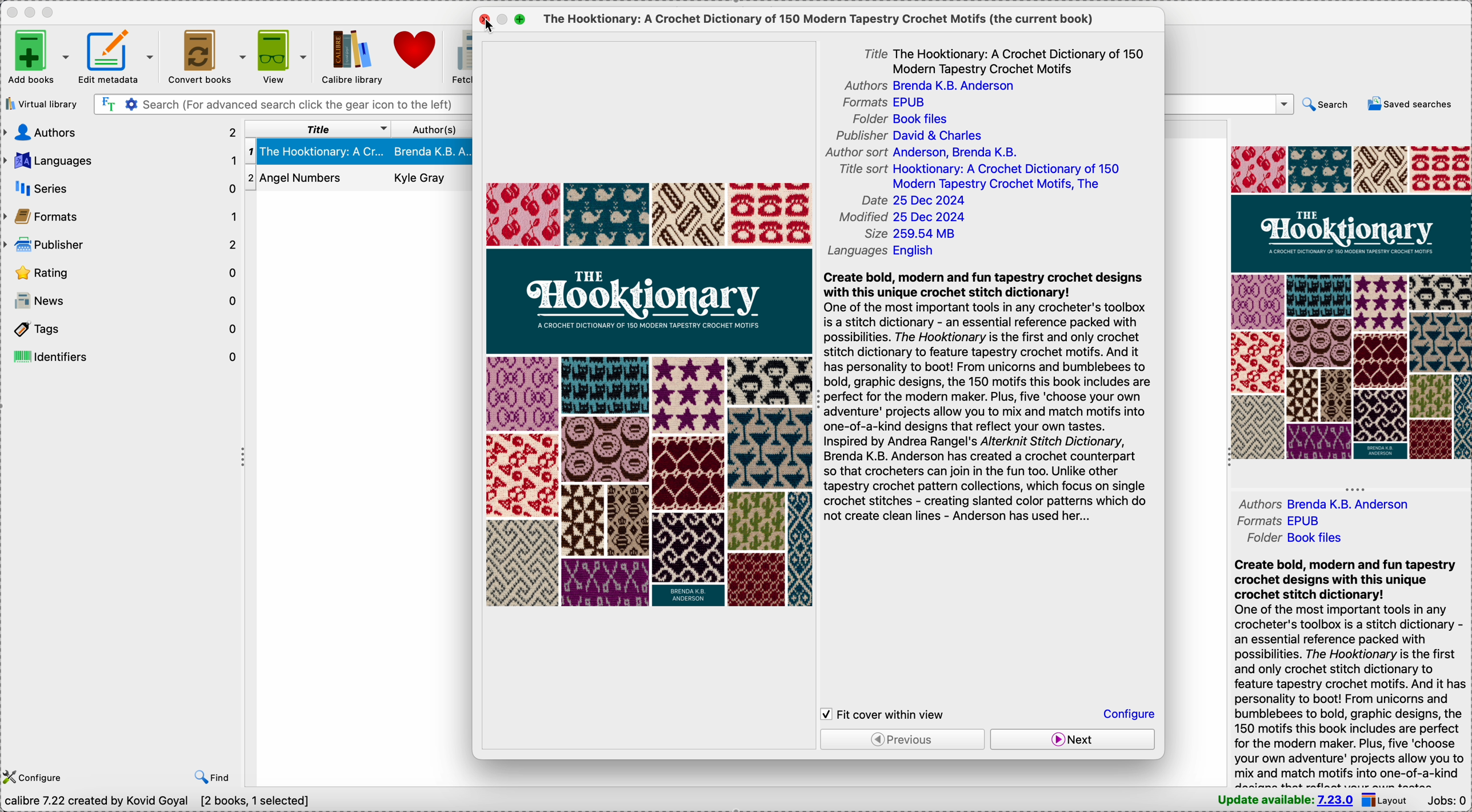  Describe the element at coordinates (923, 154) in the screenshot. I see `author sort` at that location.